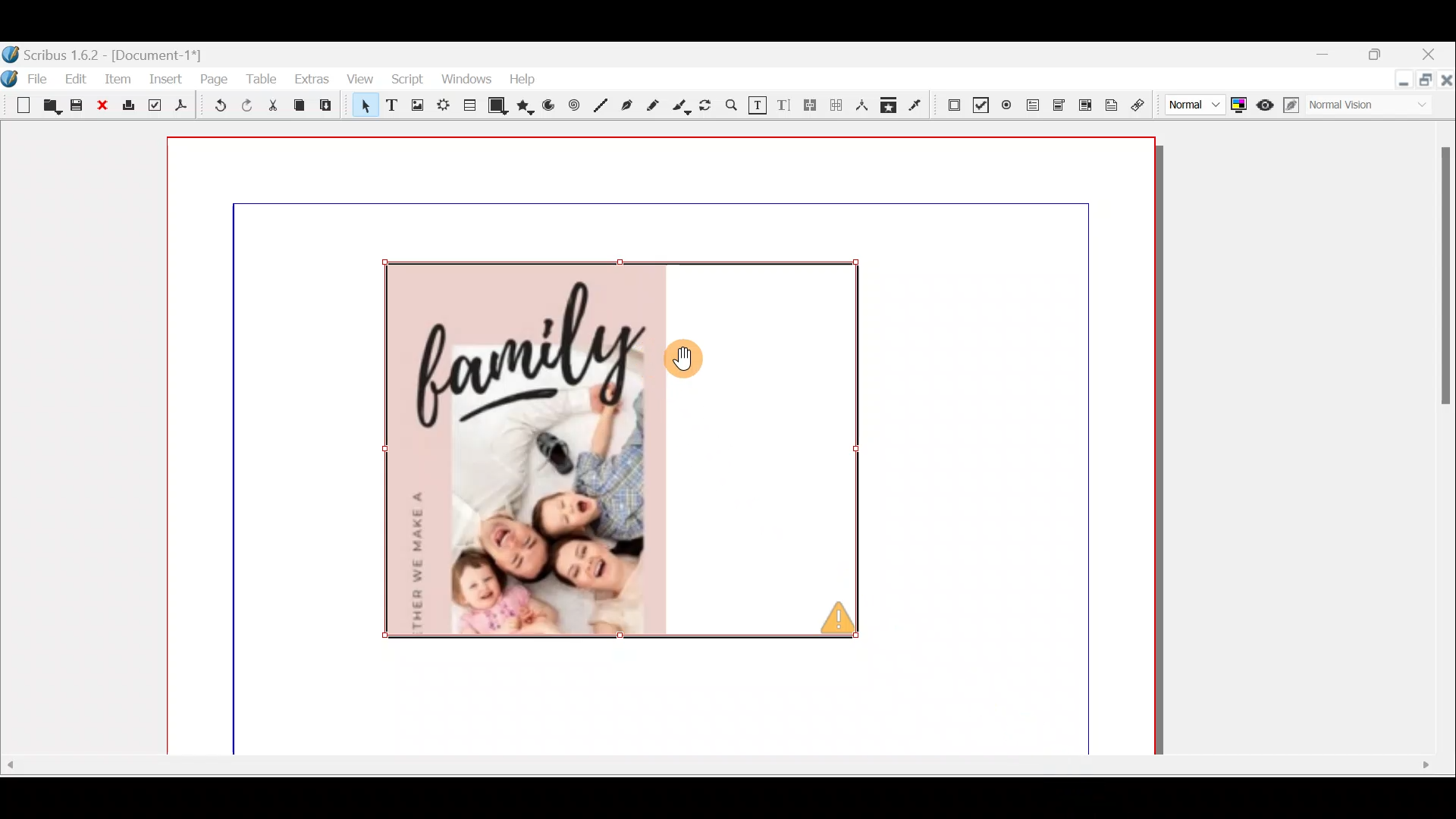 The height and width of the screenshot is (819, 1456). What do you see at coordinates (601, 106) in the screenshot?
I see `Line` at bounding box center [601, 106].